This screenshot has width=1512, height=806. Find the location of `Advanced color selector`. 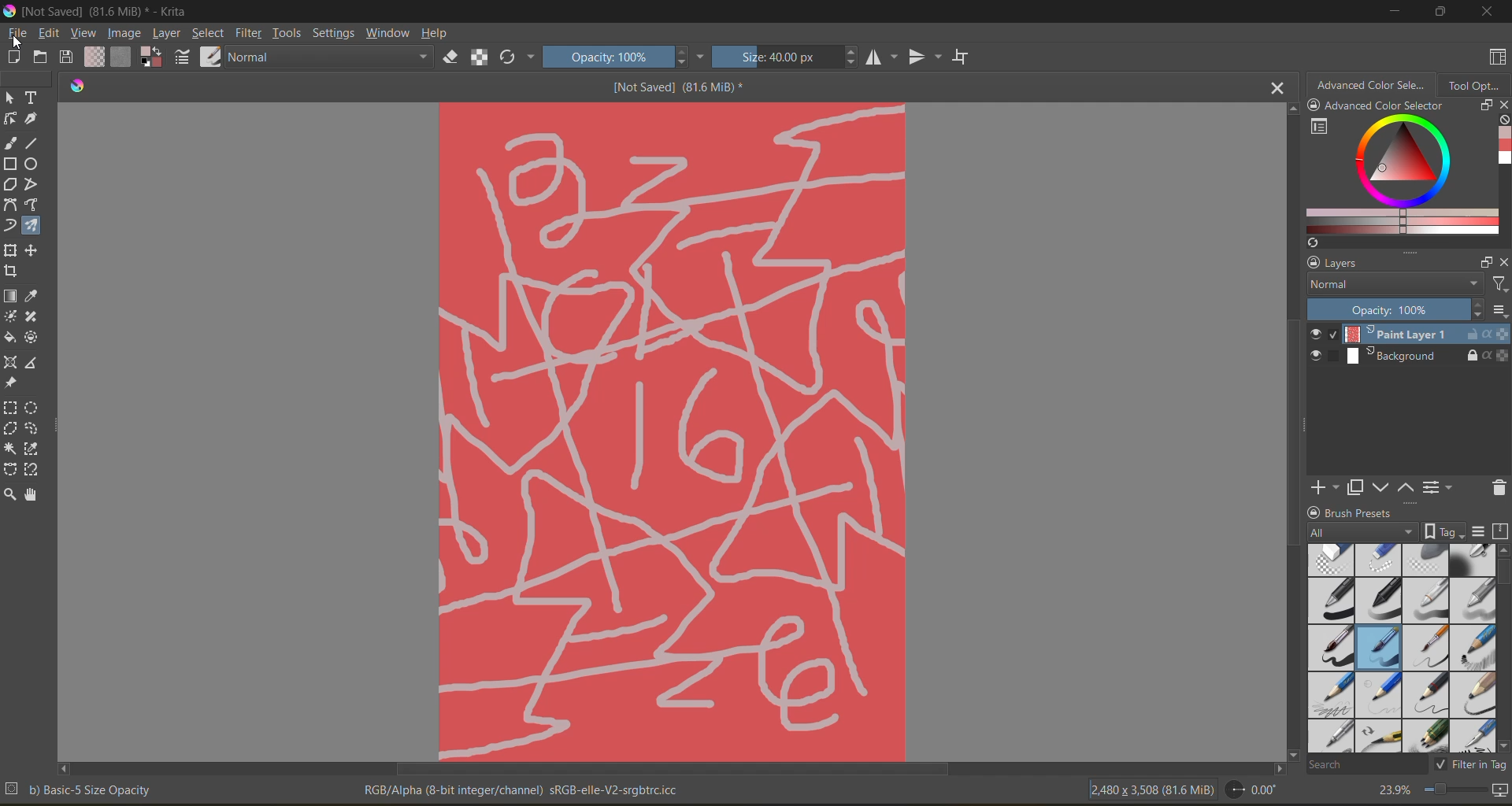

Advanced color selector is located at coordinates (1503, 148).